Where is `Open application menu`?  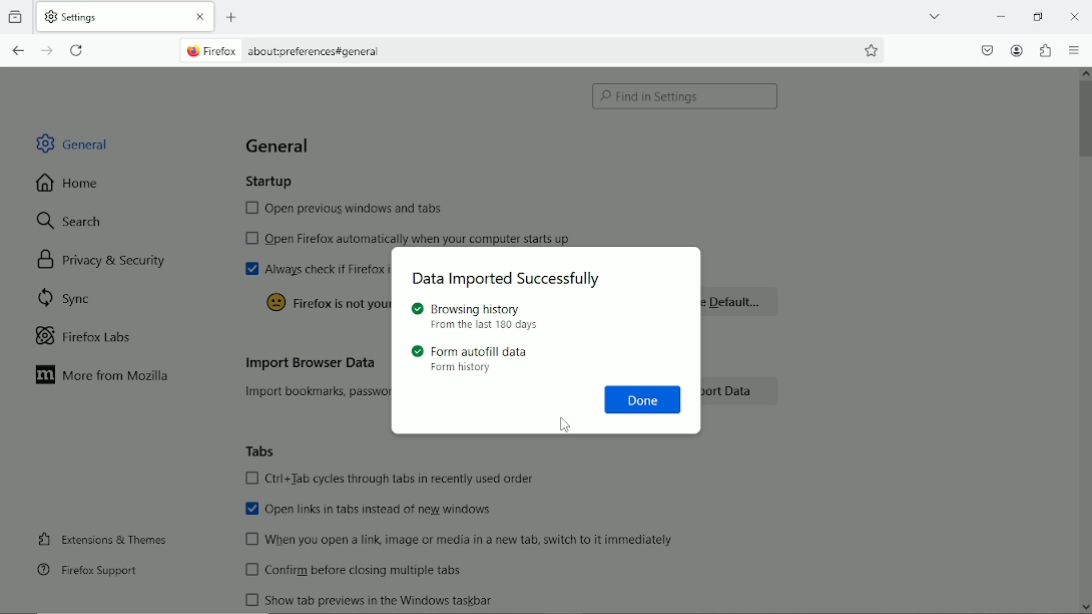
Open application menu is located at coordinates (1076, 50).